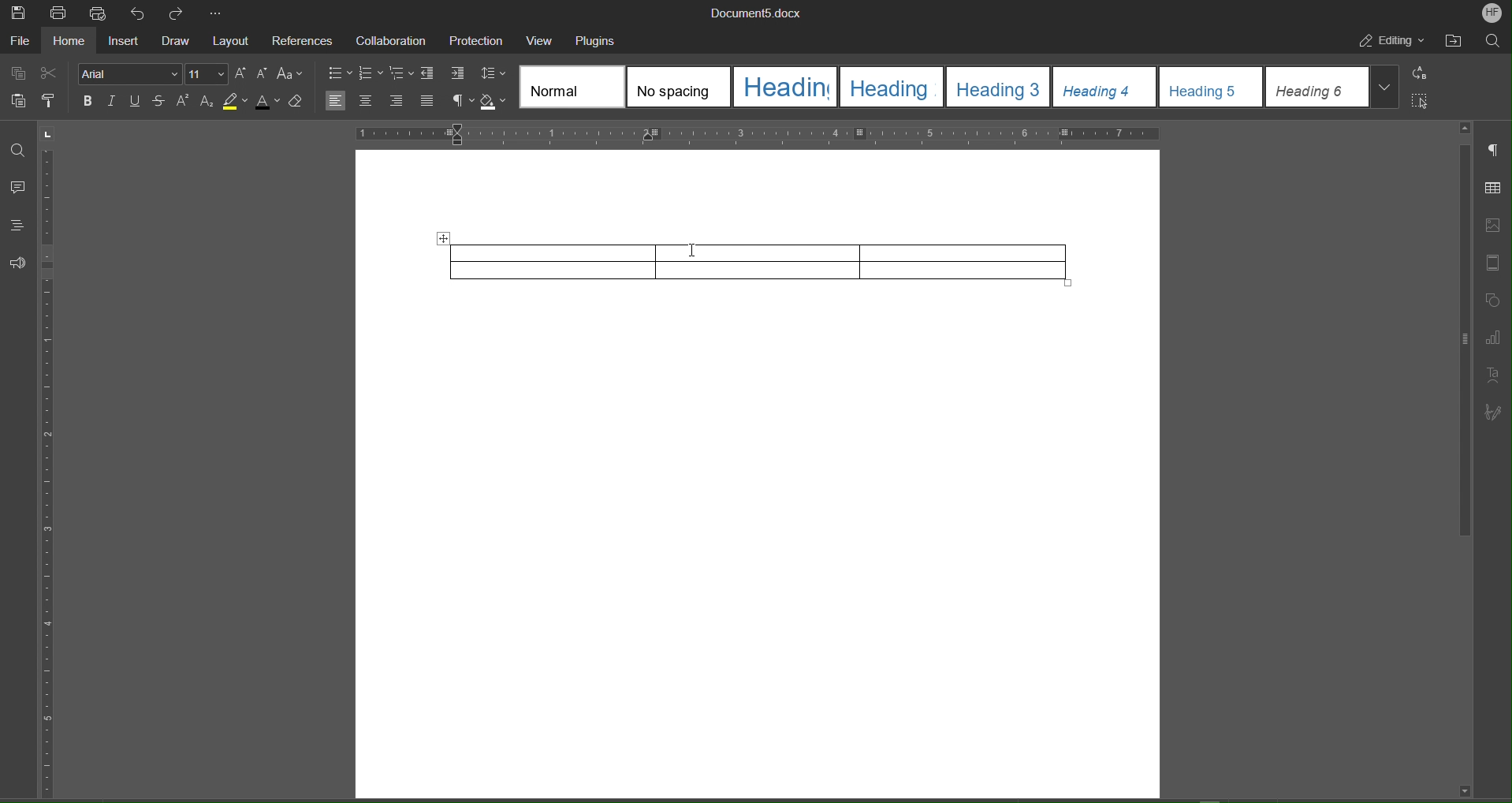 The height and width of the screenshot is (803, 1512). I want to click on Text Color, so click(268, 101).